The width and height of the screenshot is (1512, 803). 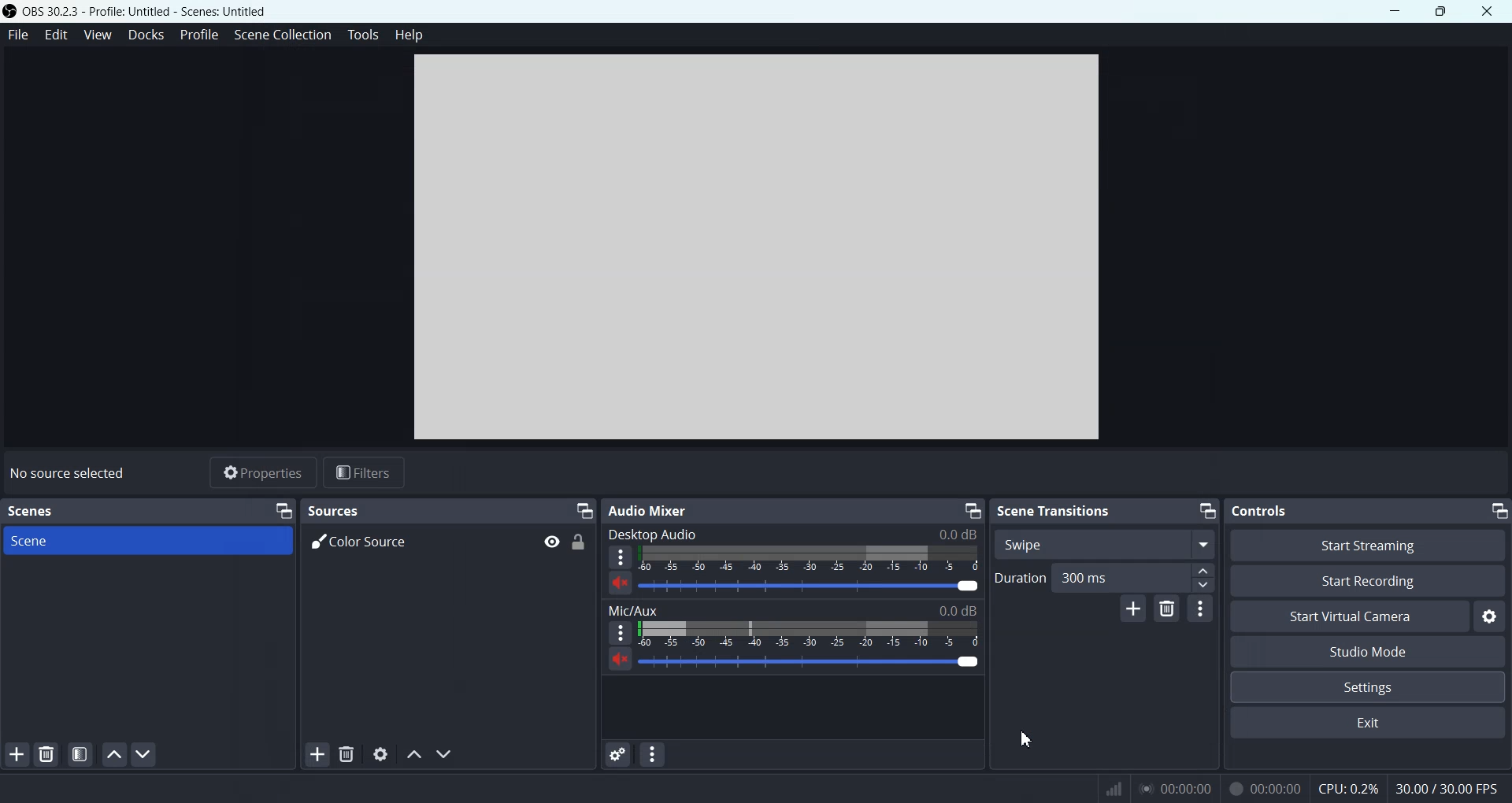 What do you see at coordinates (1395, 10) in the screenshot?
I see `Minimize` at bounding box center [1395, 10].